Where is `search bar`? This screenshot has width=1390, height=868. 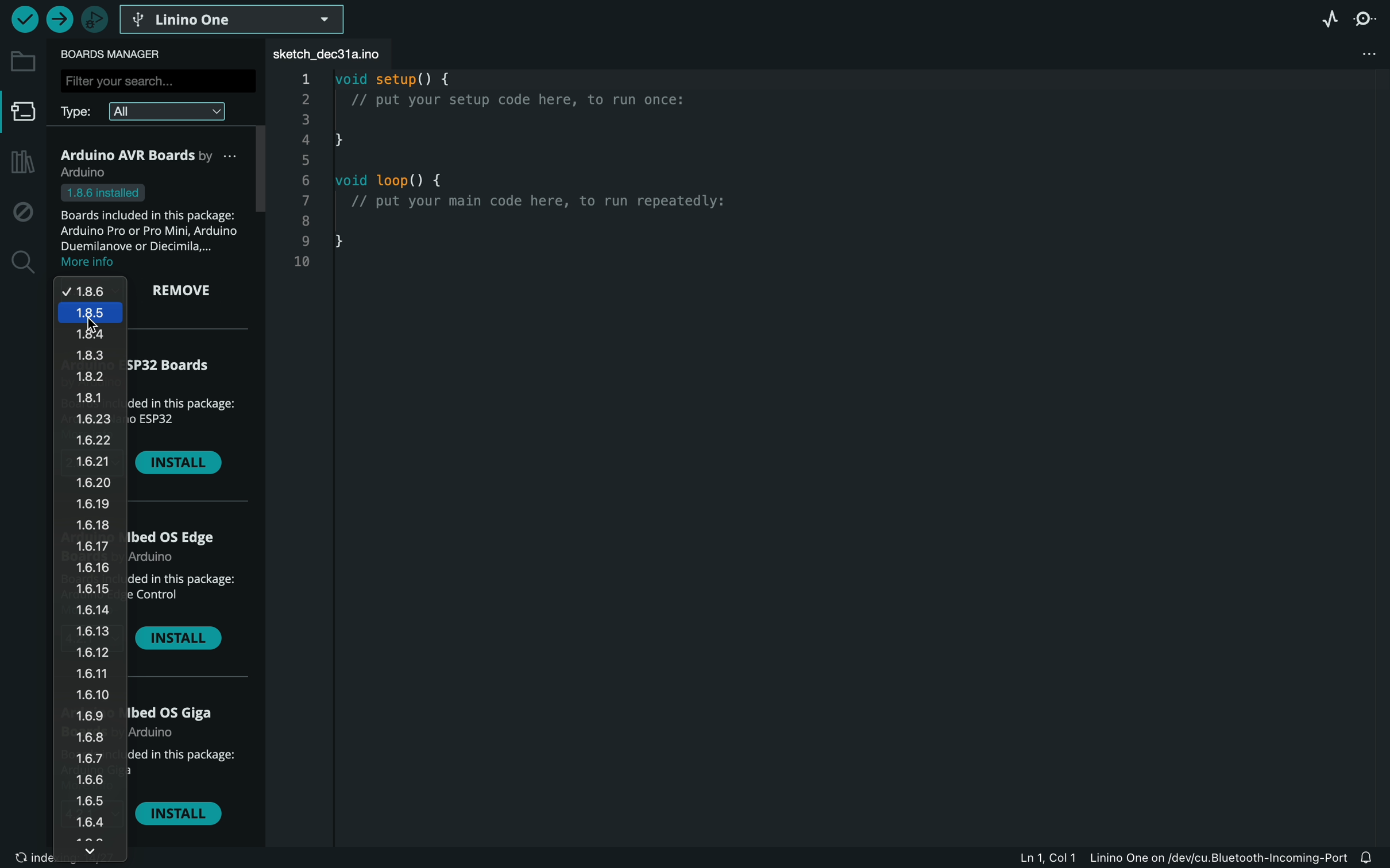 search bar is located at coordinates (156, 80).